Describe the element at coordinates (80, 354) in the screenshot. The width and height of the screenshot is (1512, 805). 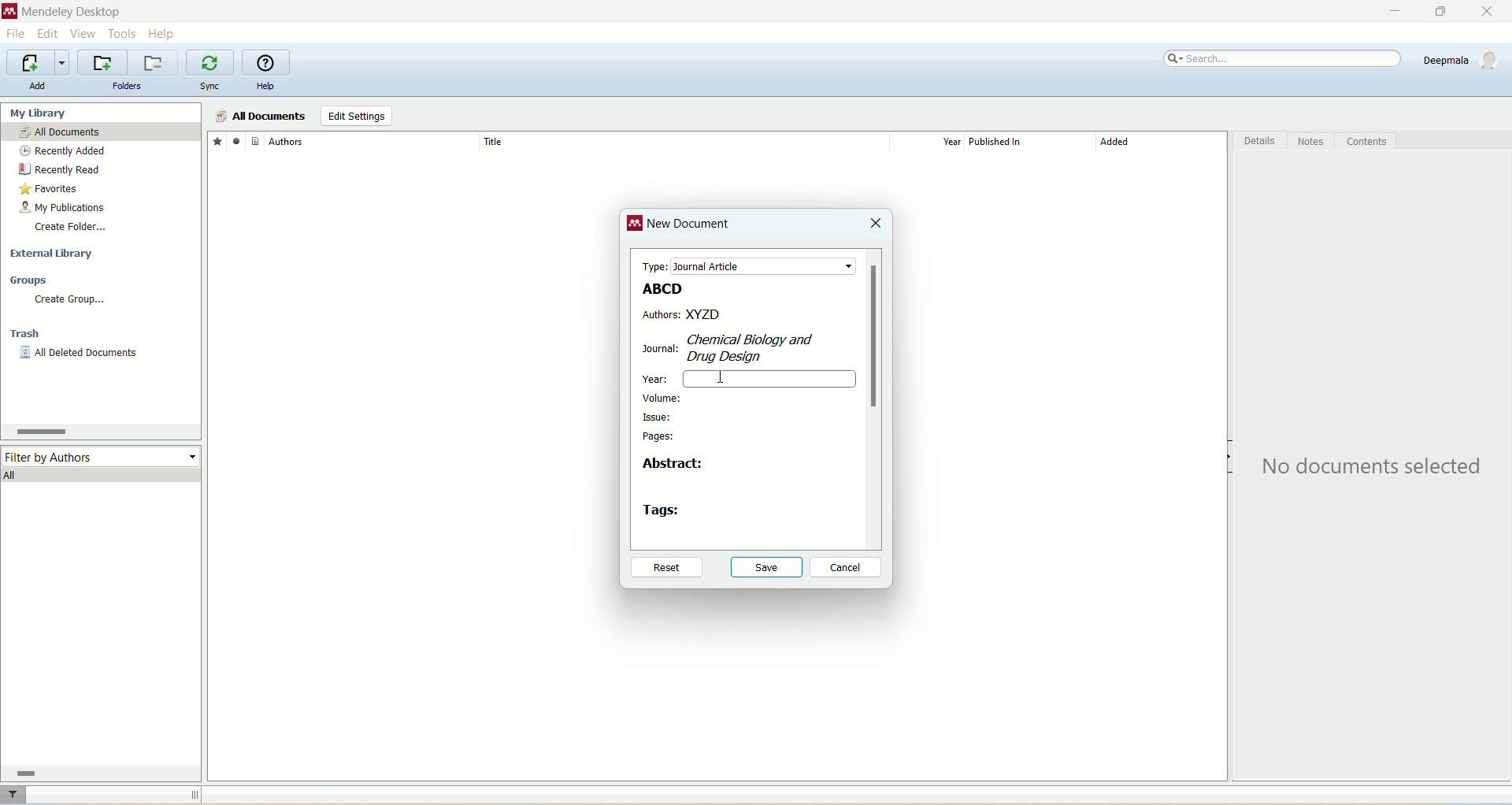
I see `all deleted` at that location.